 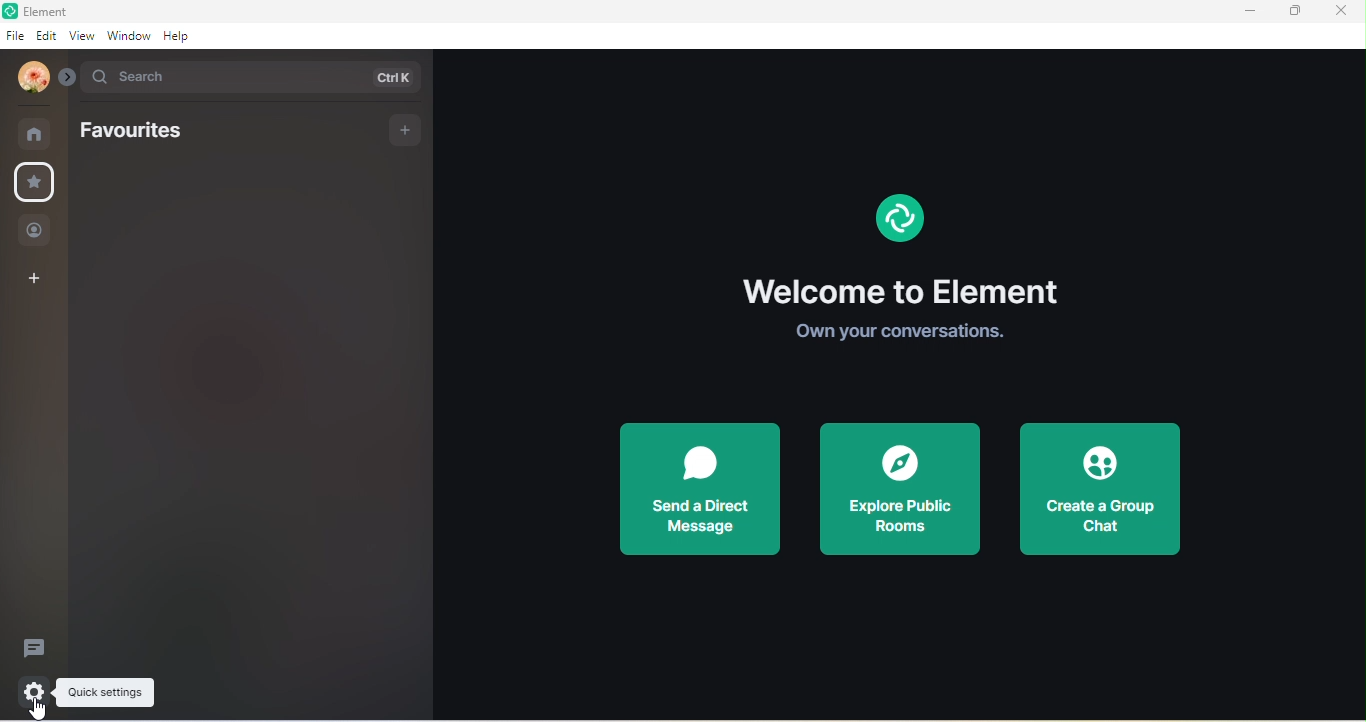 I want to click on Welcome to Element Own your conversations., so click(x=899, y=314).